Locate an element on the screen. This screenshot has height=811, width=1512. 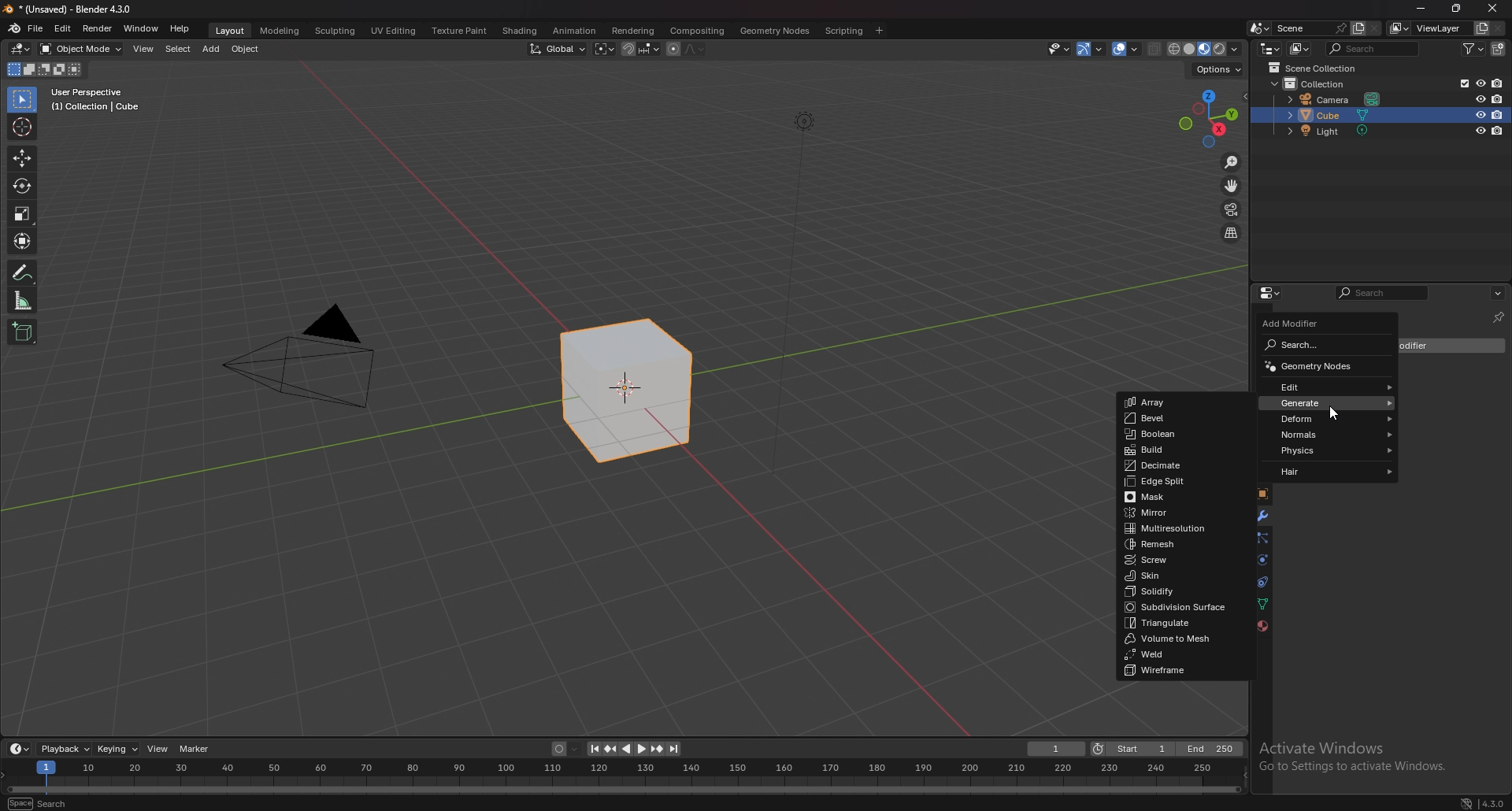
solidify is located at coordinates (1180, 590).